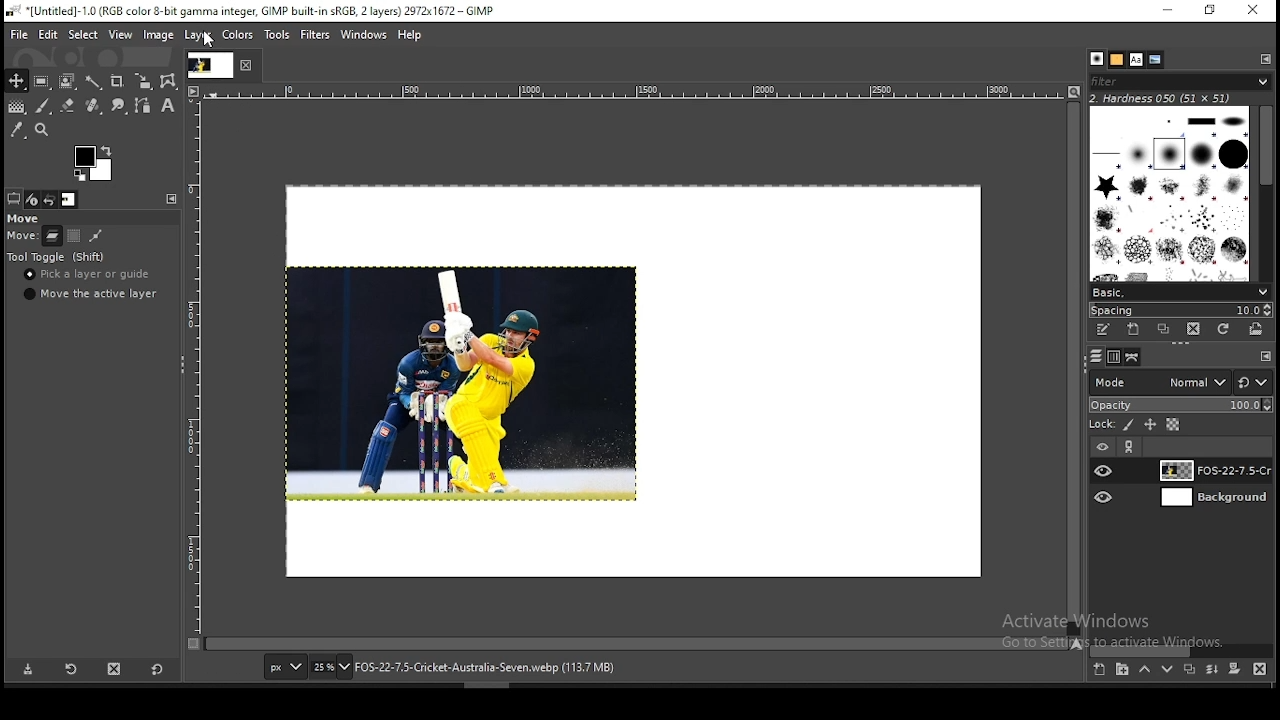 Image resolution: width=1280 pixels, height=720 pixels. I want to click on wrap transform, so click(168, 81).